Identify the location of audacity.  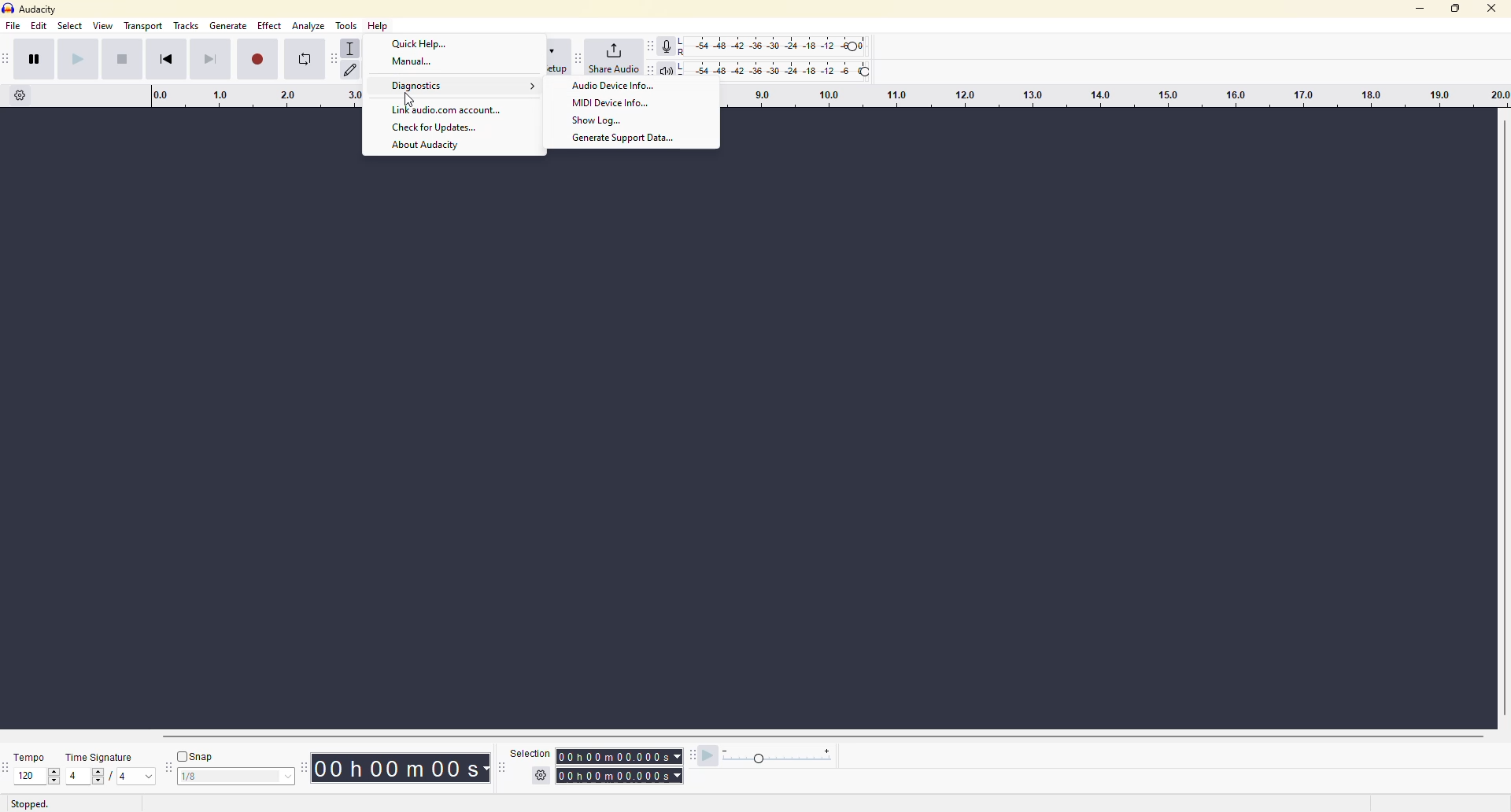
(40, 8).